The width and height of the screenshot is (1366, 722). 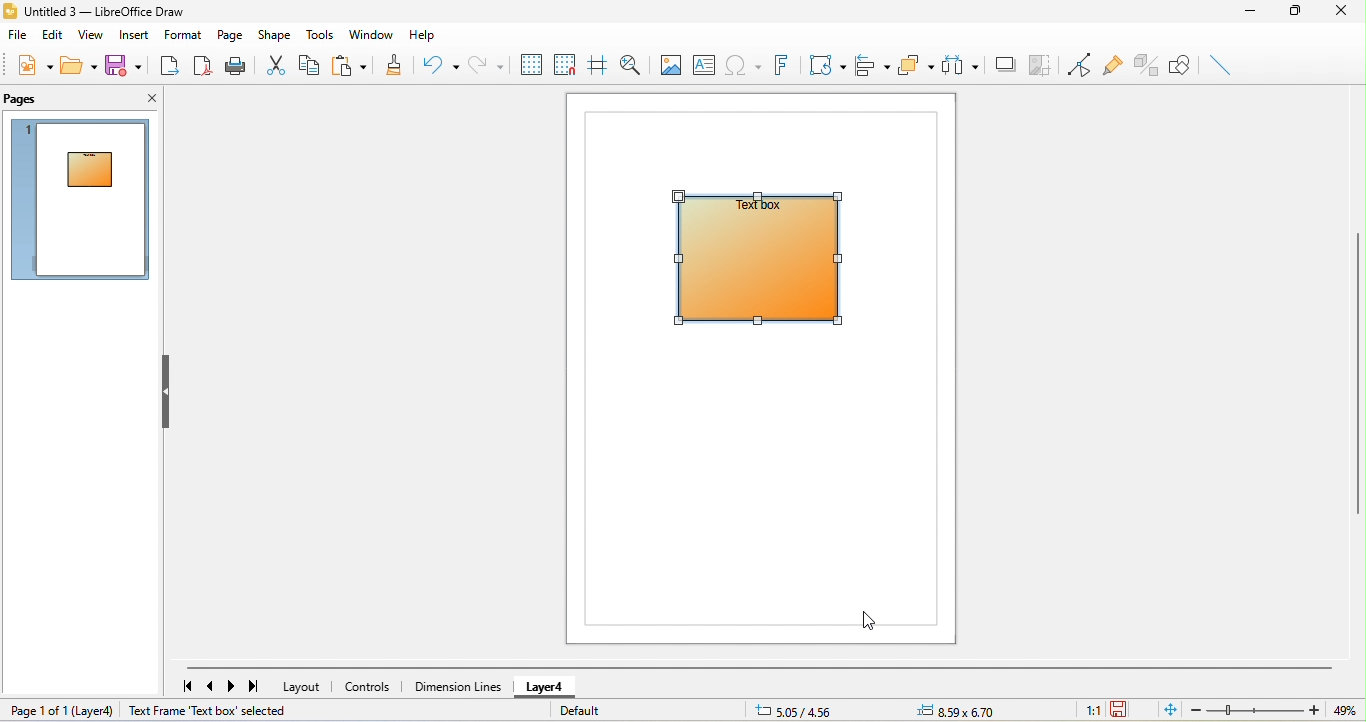 What do you see at coordinates (34, 711) in the screenshot?
I see `page 1 of 1` at bounding box center [34, 711].